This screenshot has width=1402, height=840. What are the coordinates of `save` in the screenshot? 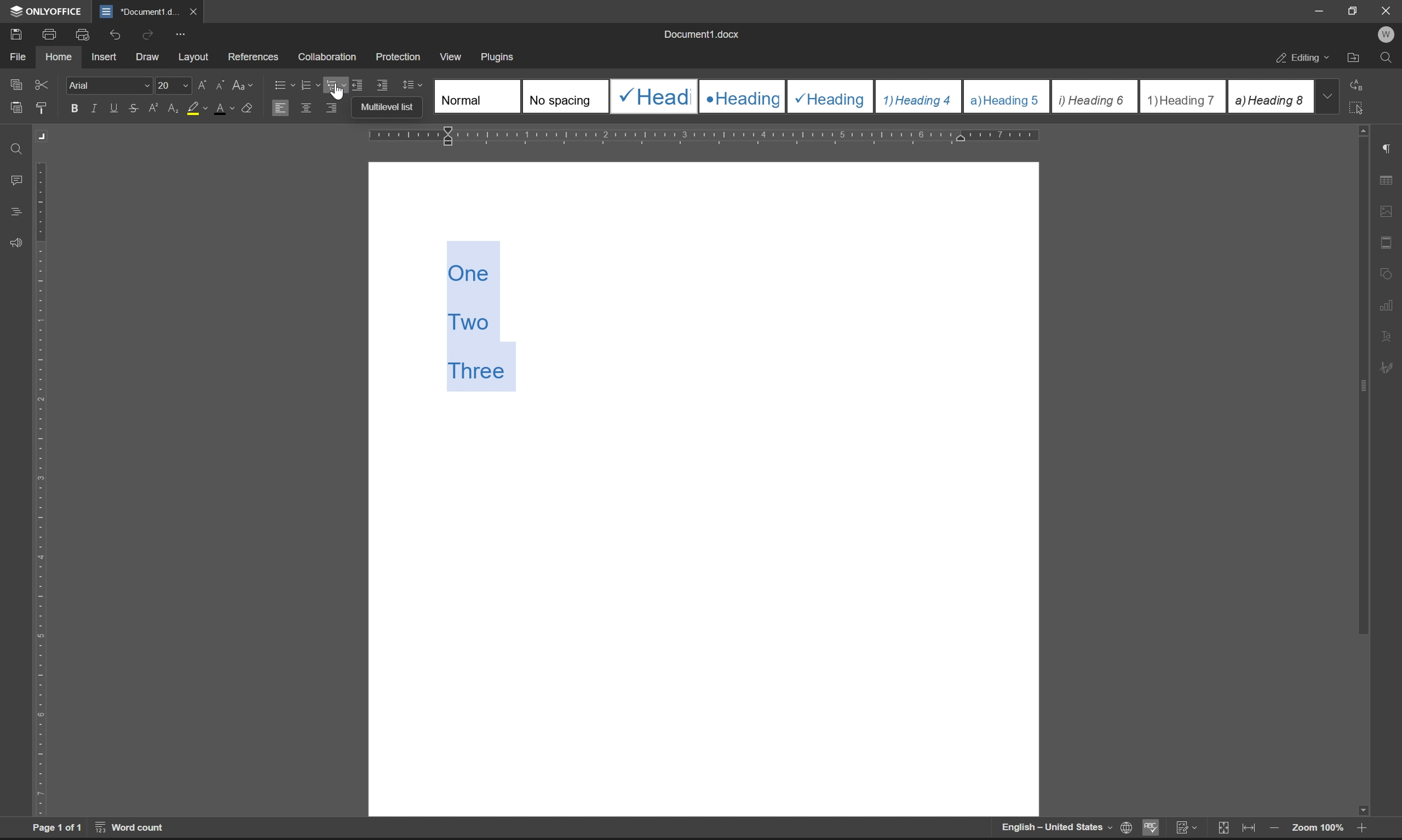 It's located at (12, 33).